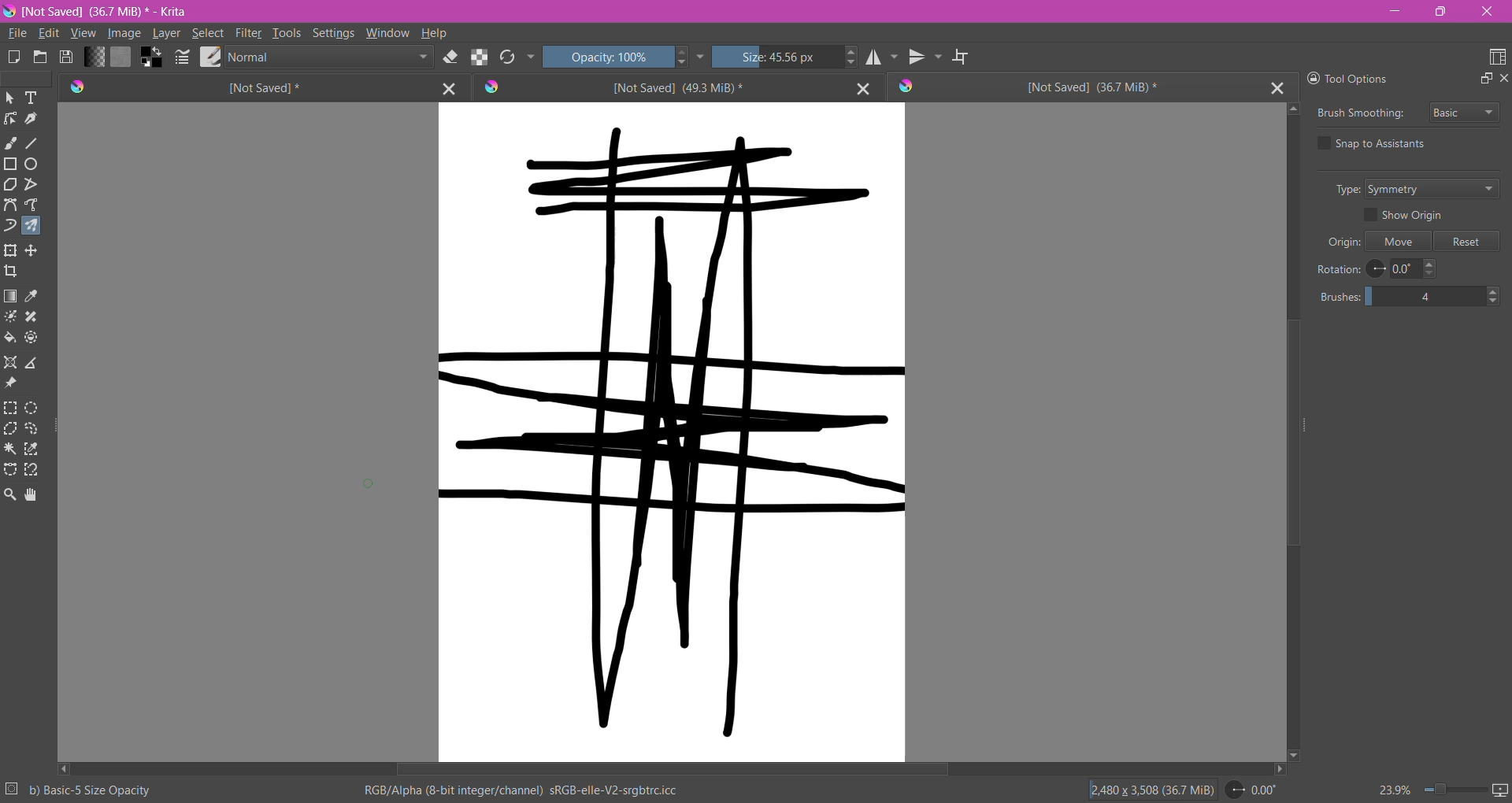  I want to click on Measure the distance between the two points, so click(33, 361).